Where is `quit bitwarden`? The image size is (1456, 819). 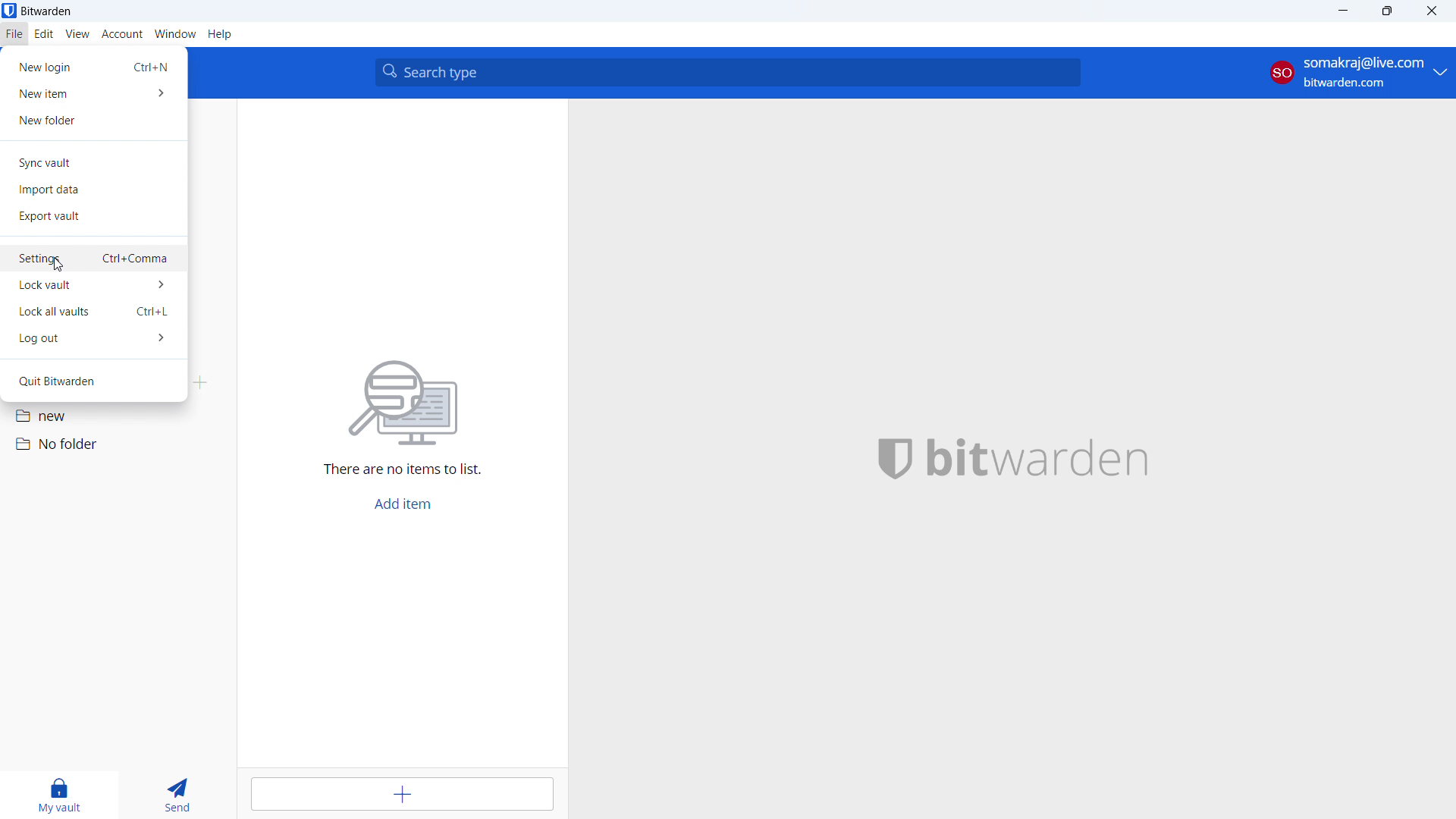 quit bitwarden is located at coordinates (93, 381).